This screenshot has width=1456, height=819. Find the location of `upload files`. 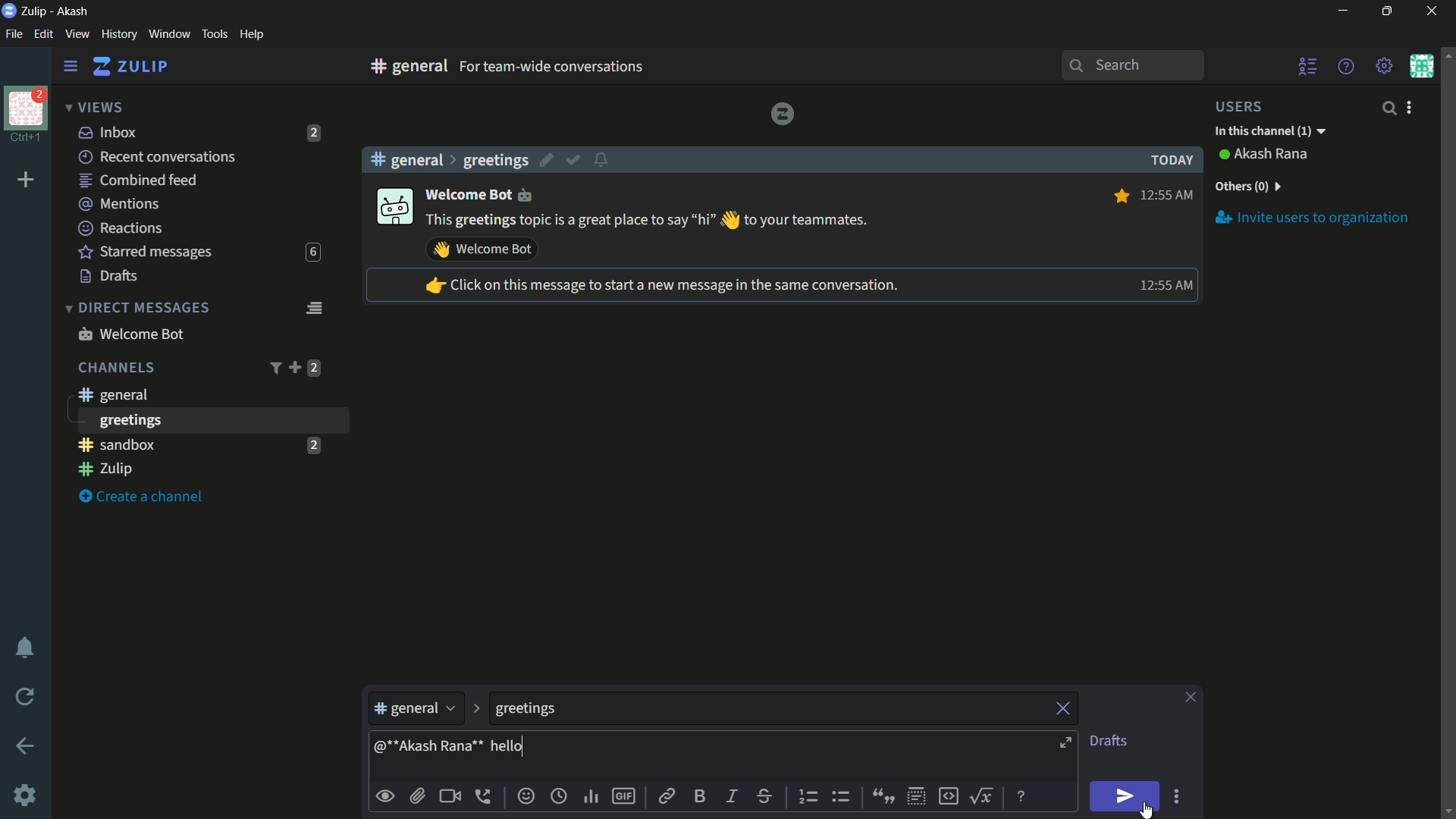

upload files is located at coordinates (417, 796).